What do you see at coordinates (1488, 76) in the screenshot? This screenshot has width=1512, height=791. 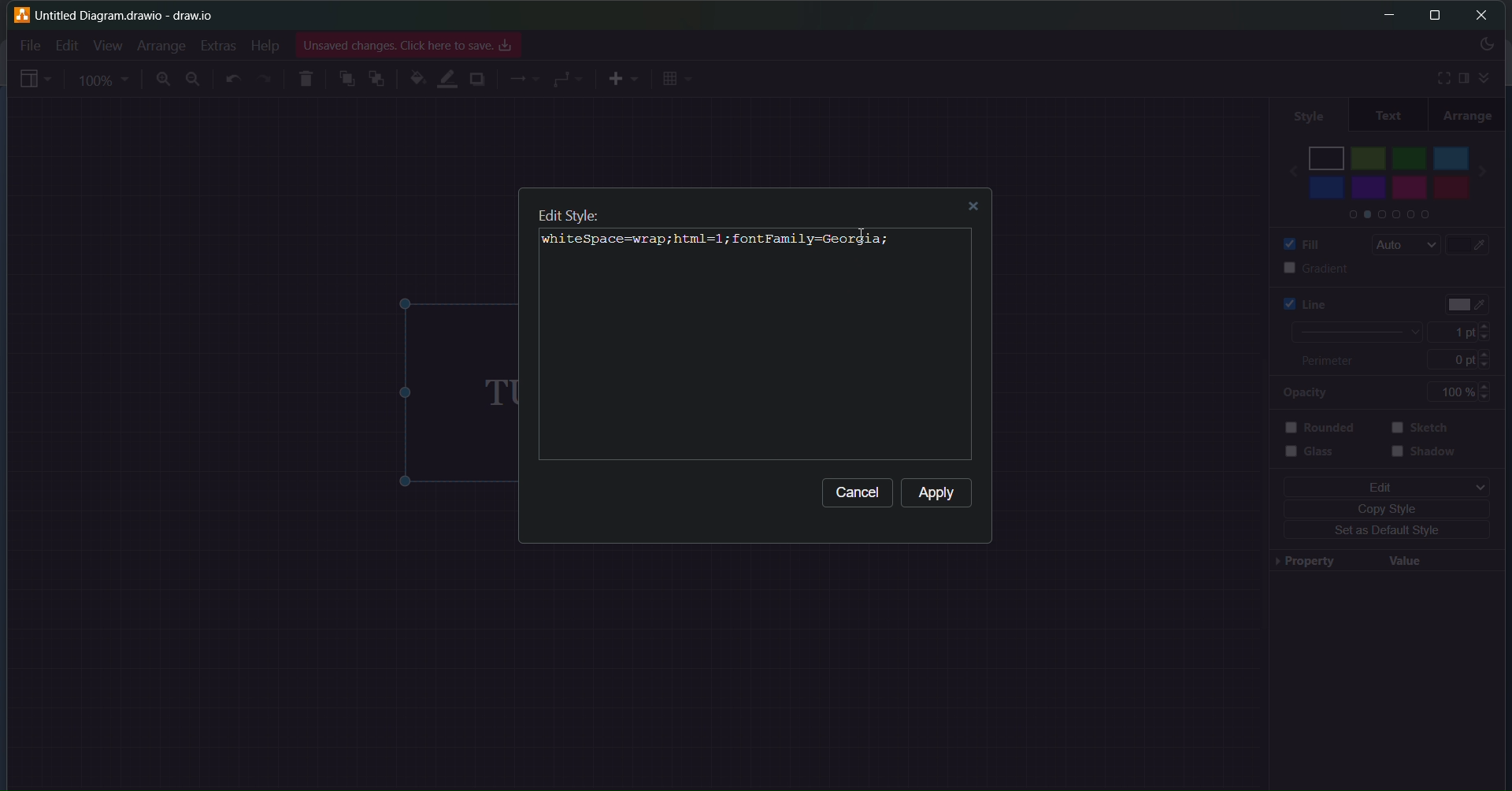 I see `expand/collapse` at bounding box center [1488, 76].